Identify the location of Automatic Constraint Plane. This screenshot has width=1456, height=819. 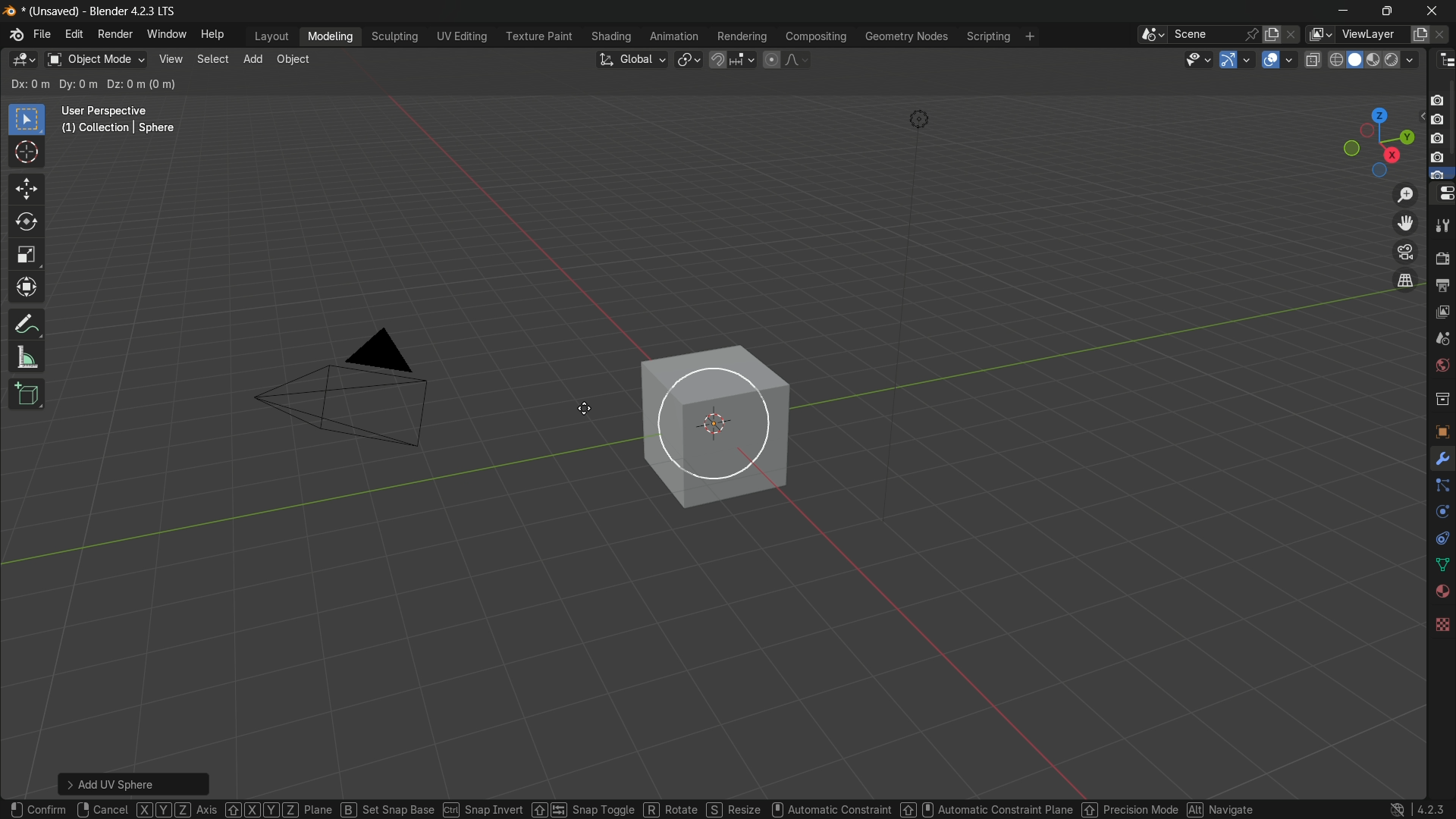
(988, 808).